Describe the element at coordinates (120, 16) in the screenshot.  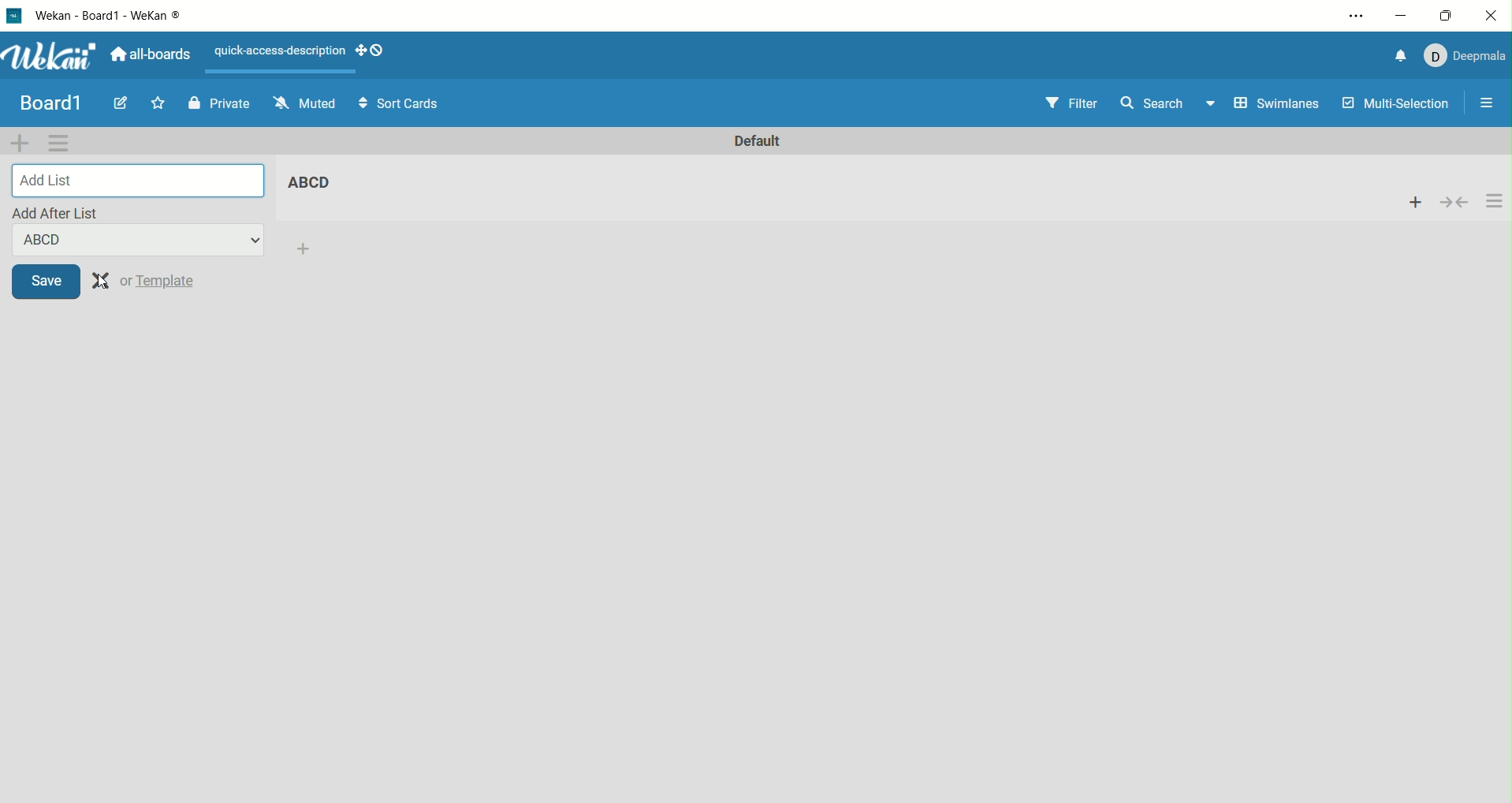
I see `wekan-wekan` at that location.